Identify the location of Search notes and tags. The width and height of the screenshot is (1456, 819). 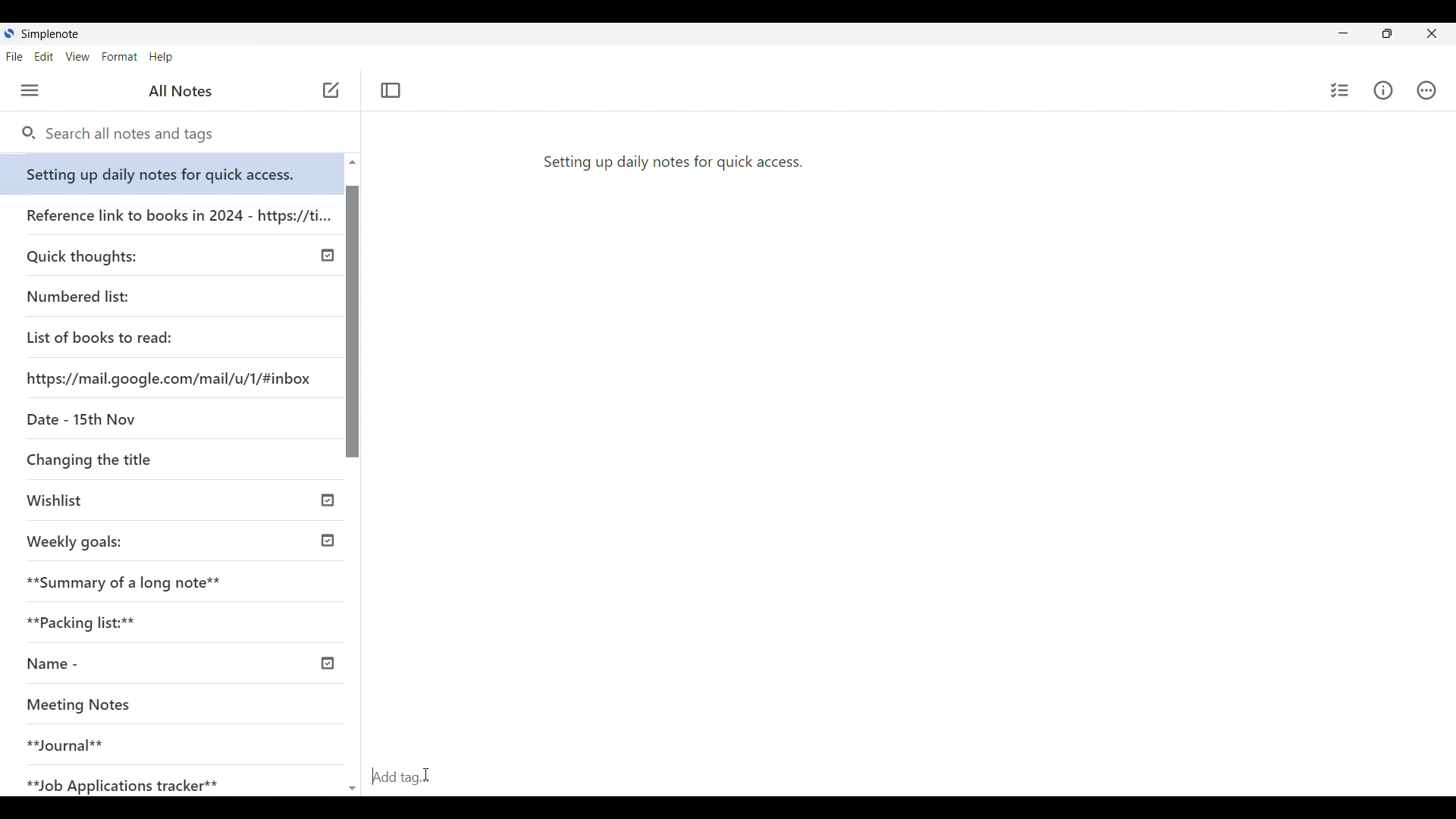
(136, 134).